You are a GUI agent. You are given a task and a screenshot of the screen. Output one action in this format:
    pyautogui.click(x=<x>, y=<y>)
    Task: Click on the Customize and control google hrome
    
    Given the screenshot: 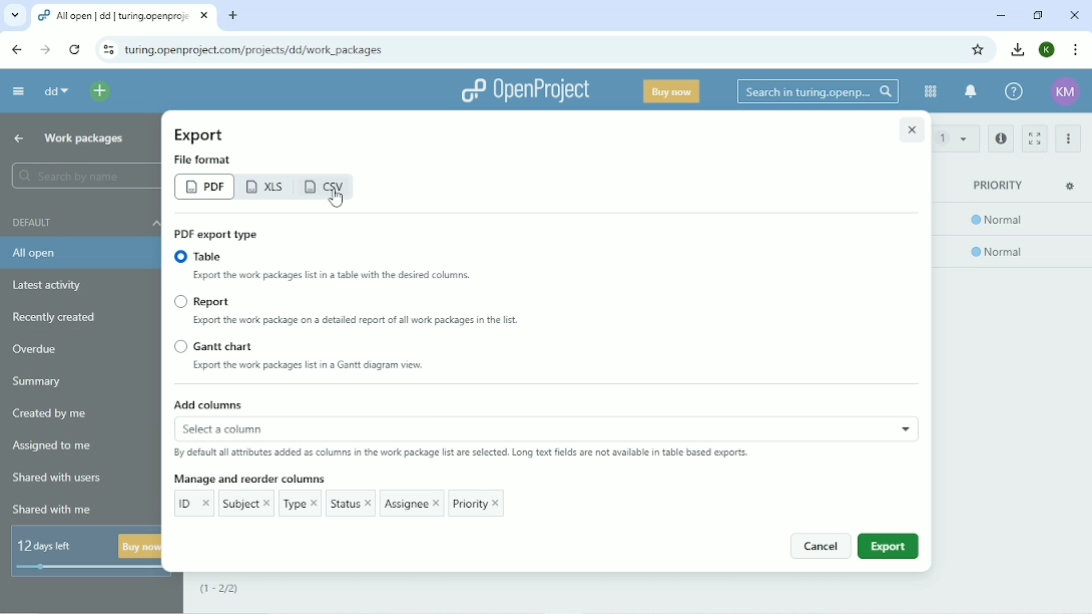 What is the action you would take?
    pyautogui.click(x=1074, y=50)
    